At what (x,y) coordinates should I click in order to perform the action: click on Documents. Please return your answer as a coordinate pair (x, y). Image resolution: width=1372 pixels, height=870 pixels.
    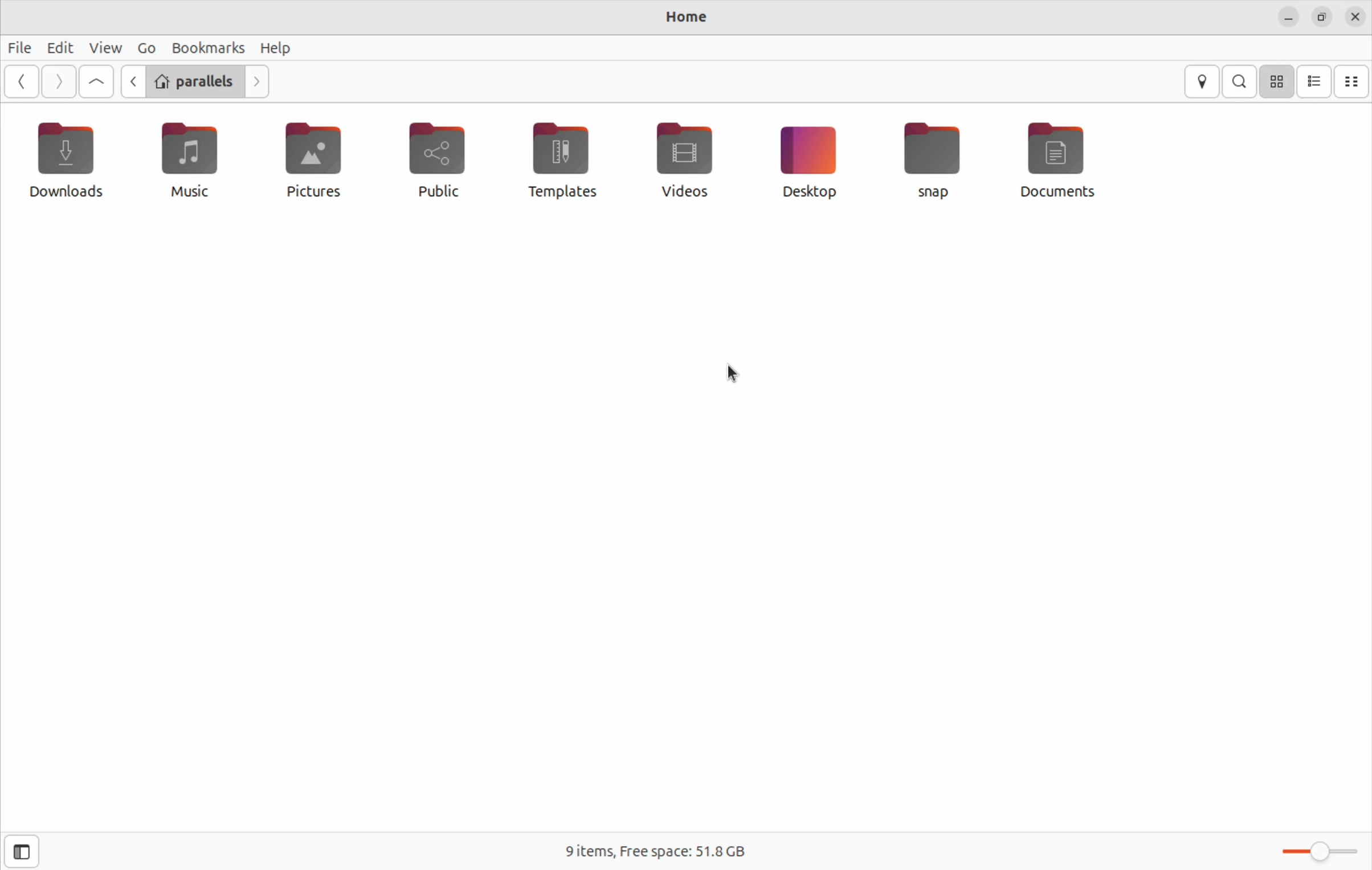
    Looking at the image, I should click on (1065, 156).